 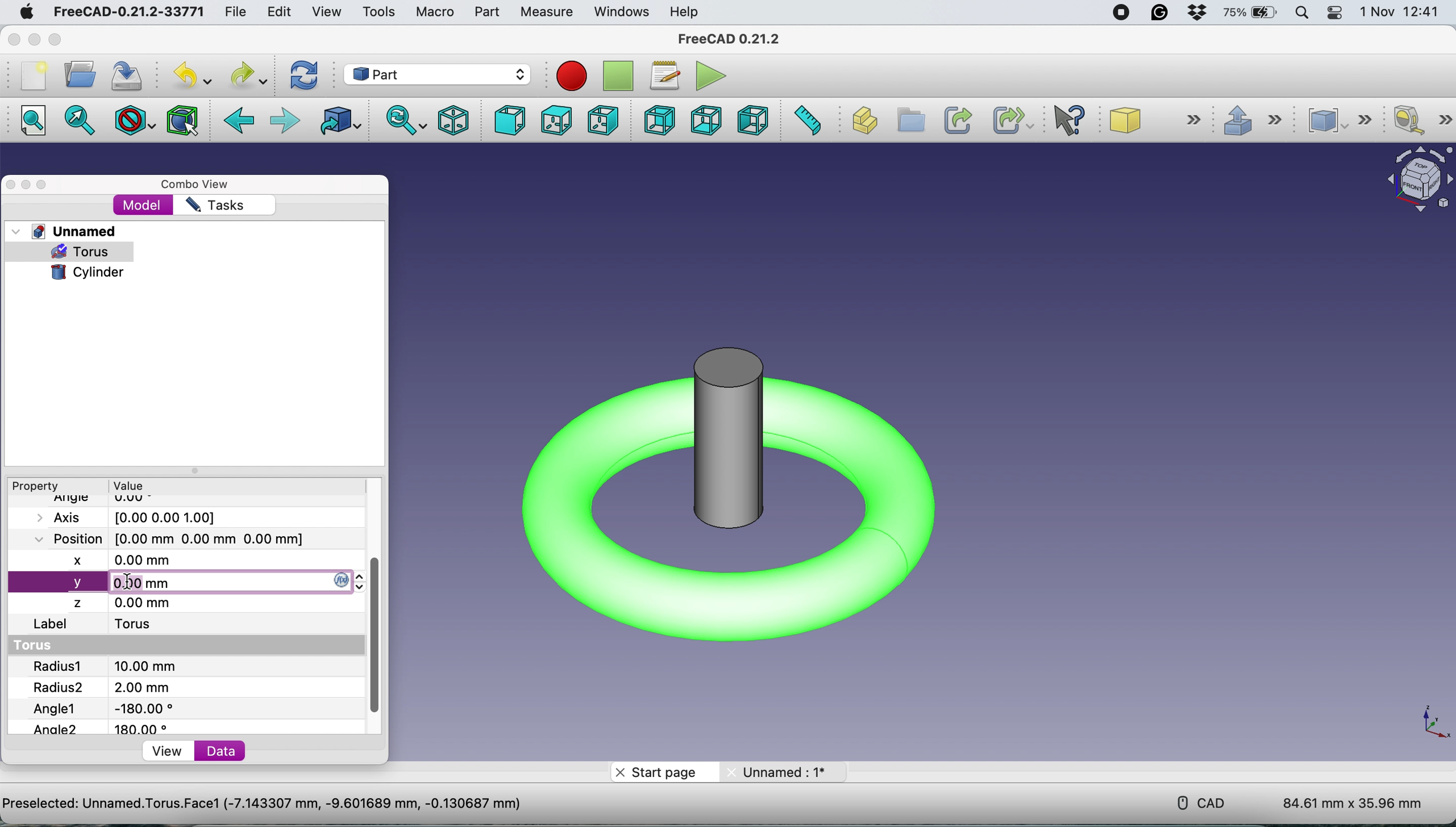 I want to click on unnamed, so click(x=790, y=772).